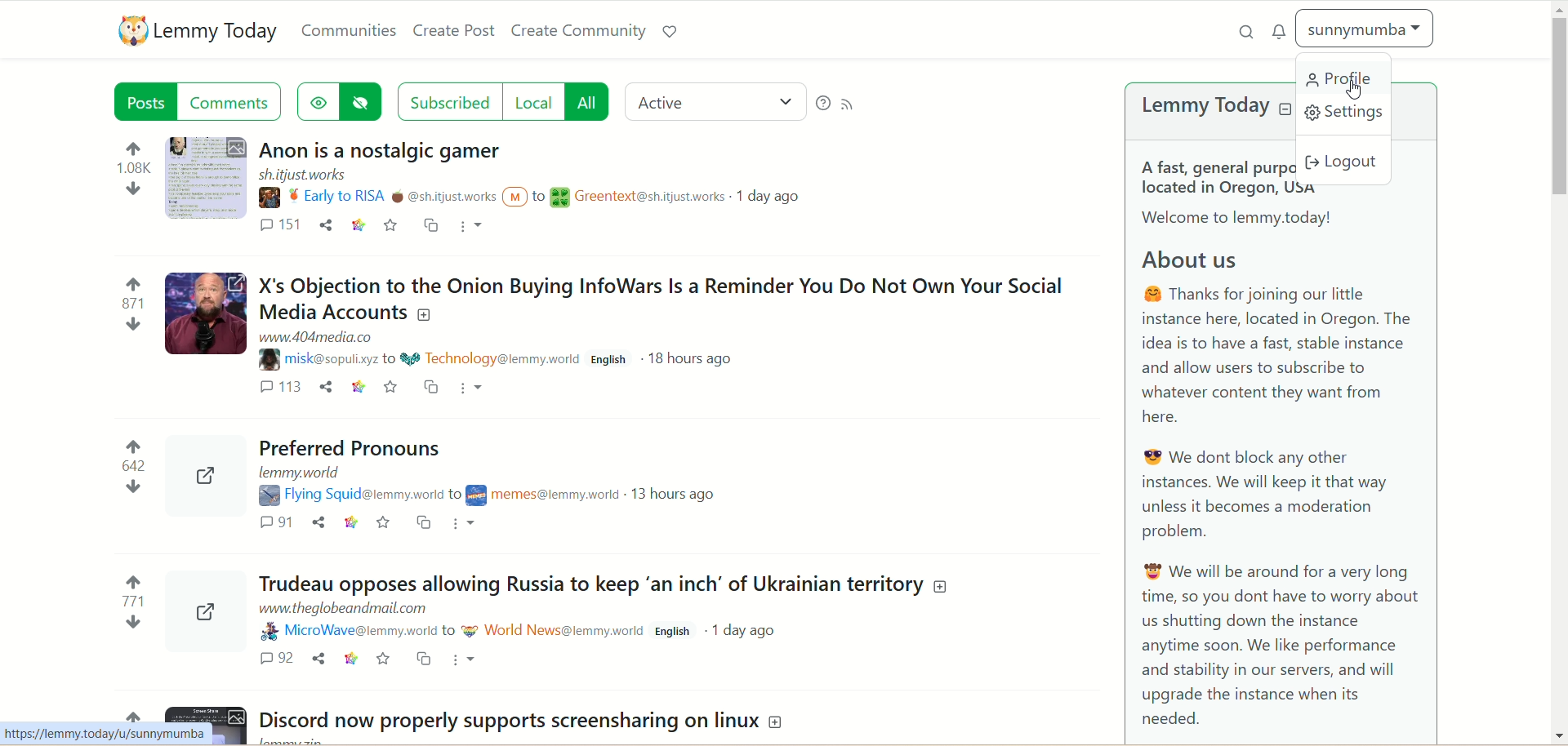 This screenshot has height=746, width=1568. I want to click on Votes, so click(129, 170).